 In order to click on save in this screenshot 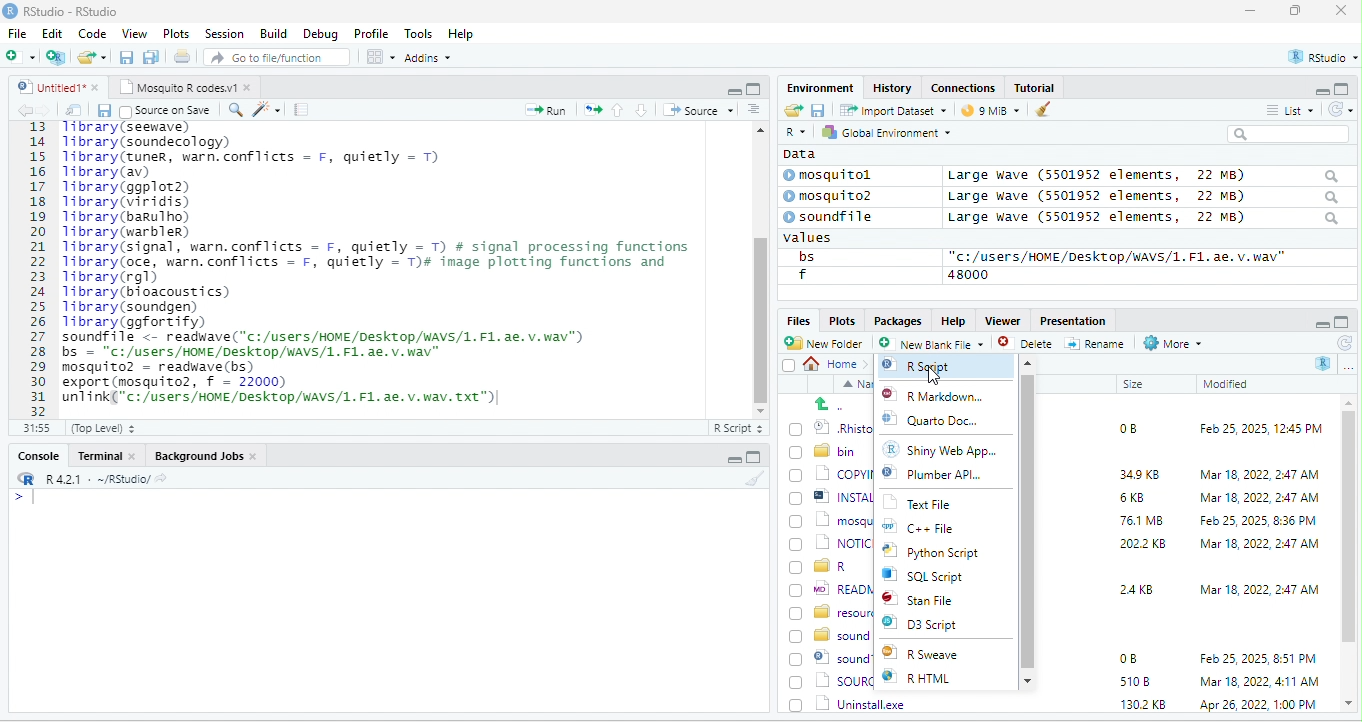, I will do `click(128, 58)`.